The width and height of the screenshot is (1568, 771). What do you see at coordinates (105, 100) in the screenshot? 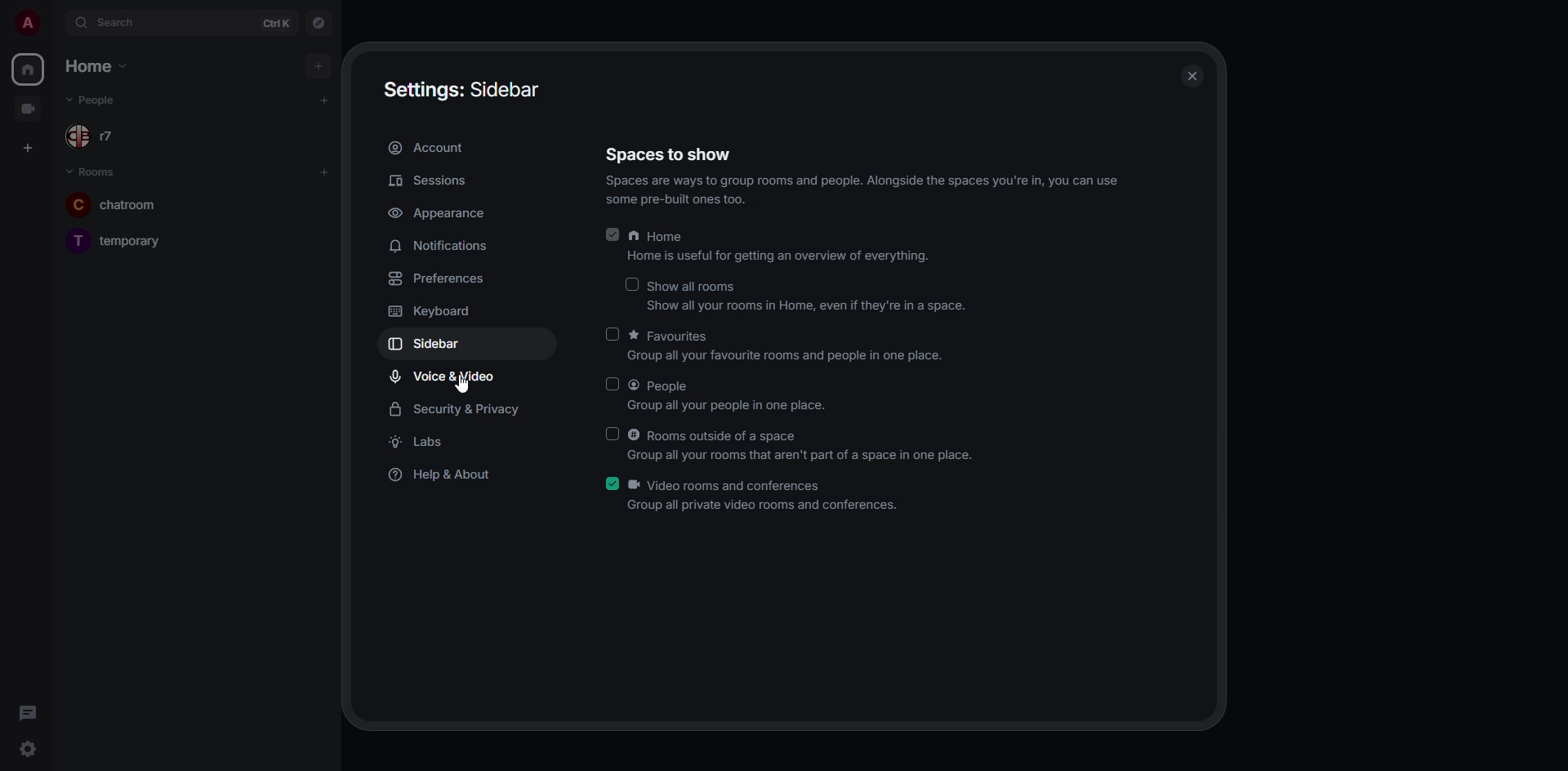
I see `people` at bounding box center [105, 100].